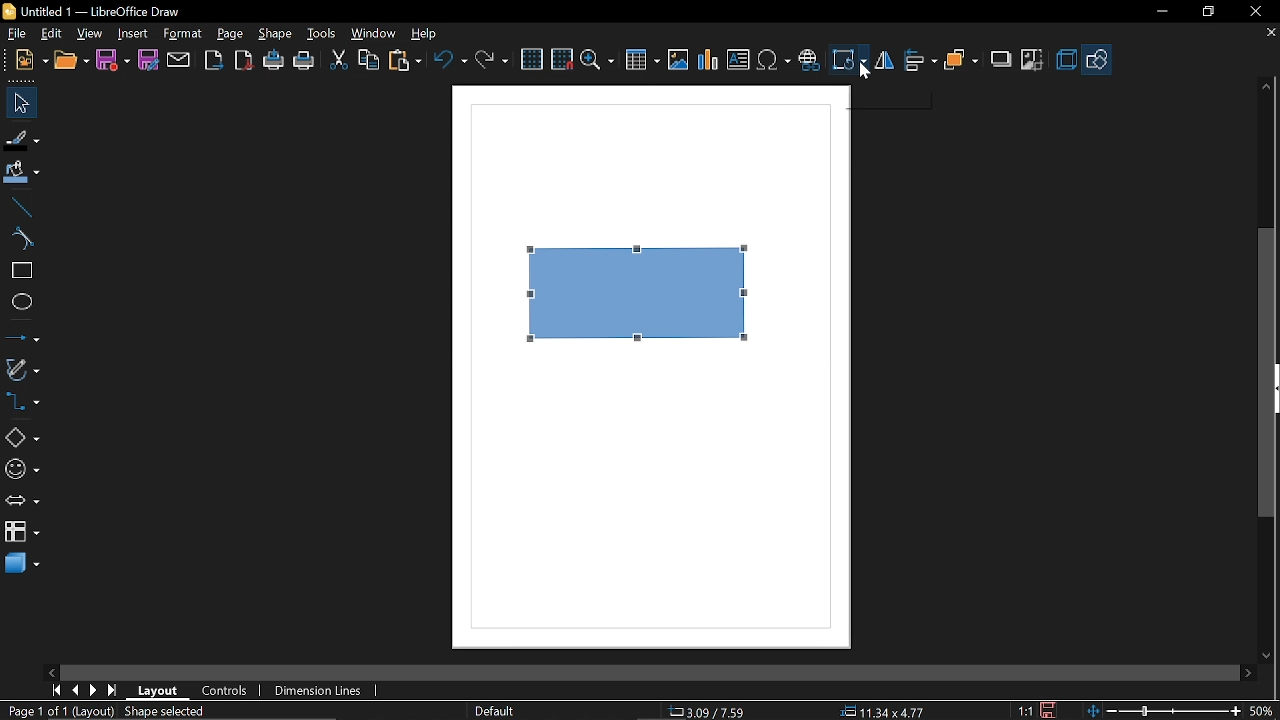 Image resolution: width=1280 pixels, height=720 pixels. I want to click on Shadow, so click(998, 60).